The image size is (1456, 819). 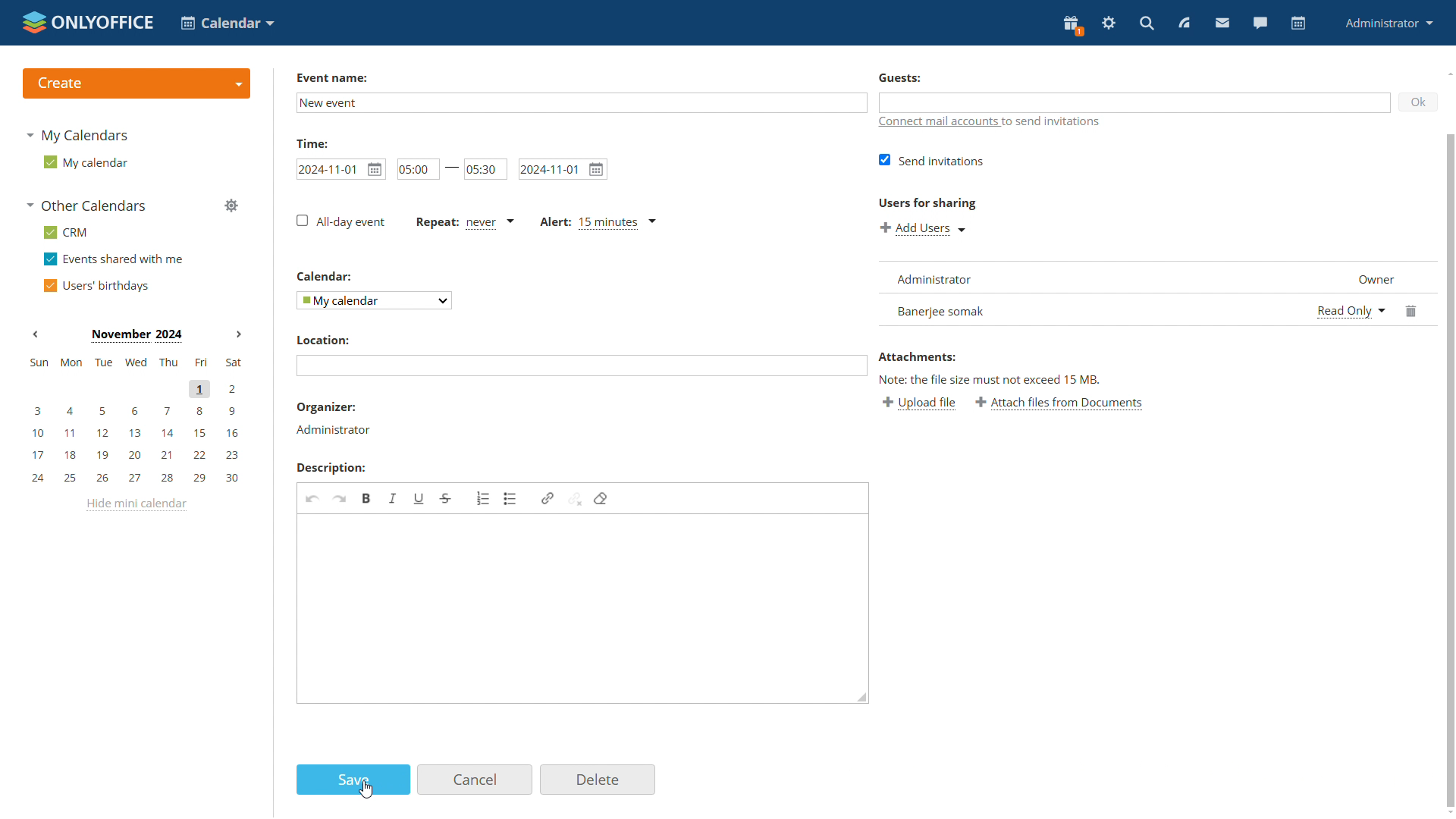 I want to click on my calendars, so click(x=79, y=135).